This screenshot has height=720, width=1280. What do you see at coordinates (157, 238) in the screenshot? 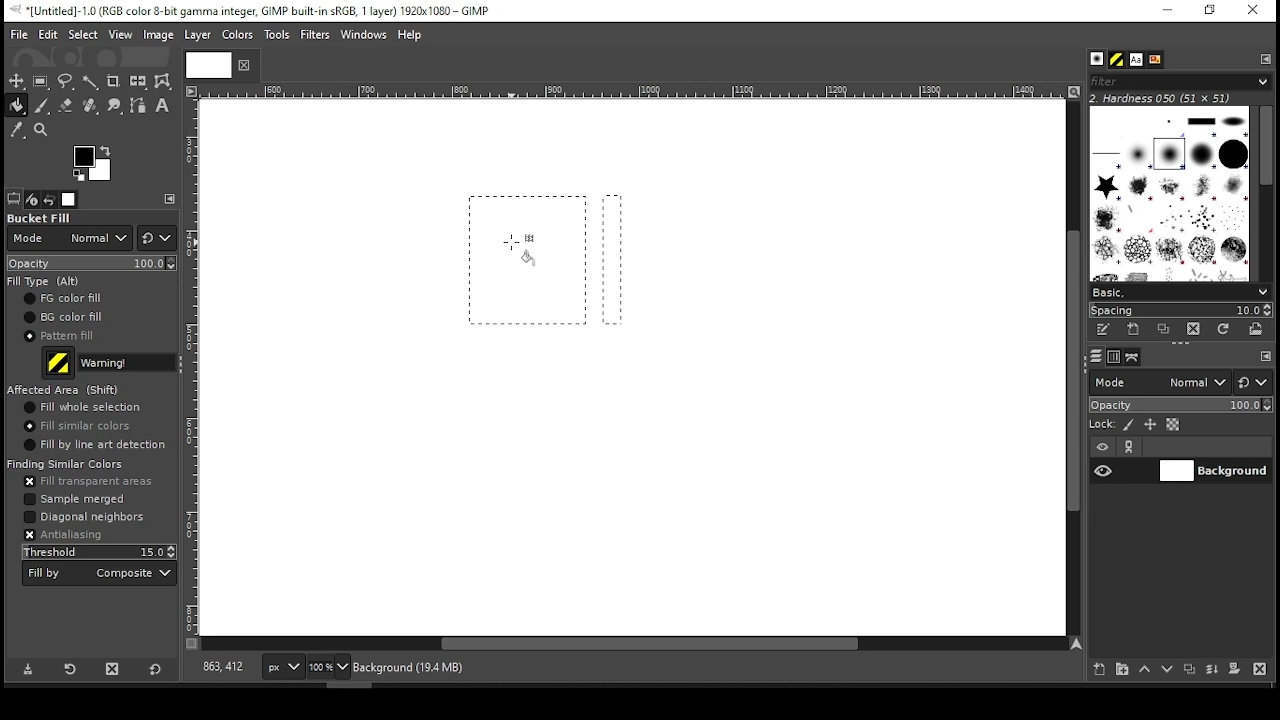
I see `switch to different modes` at bounding box center [157, 238].